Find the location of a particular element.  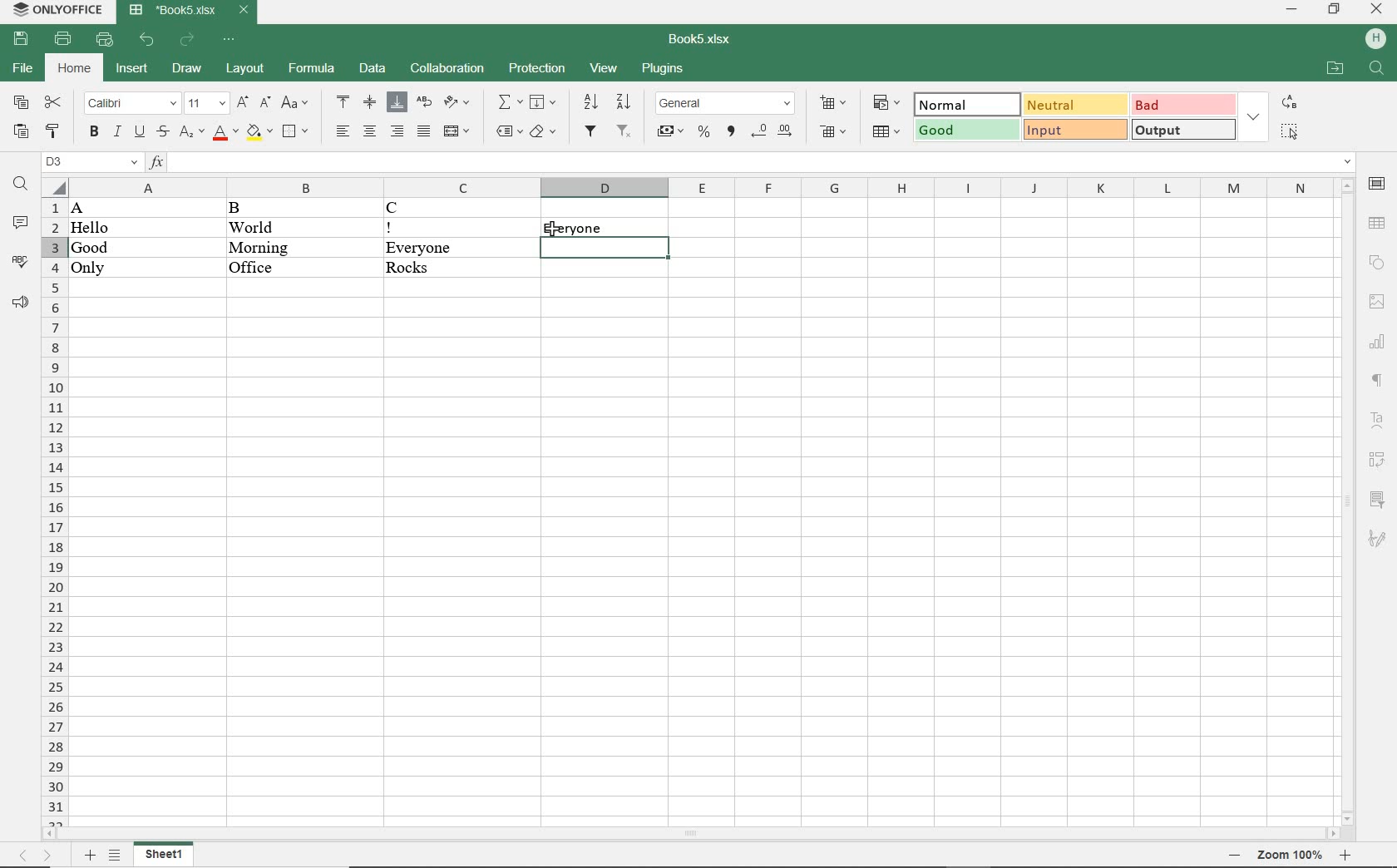

shading is located at coordinates (542, 134).